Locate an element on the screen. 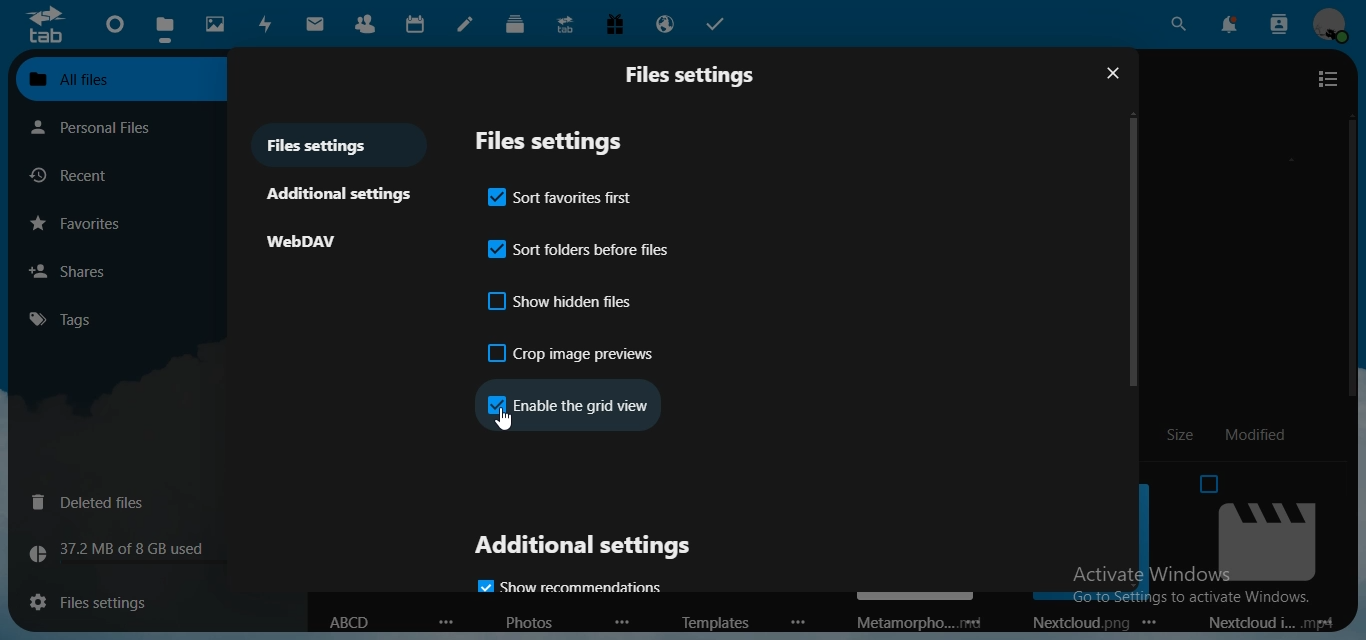  calendar is located at coordinates (415, 23).